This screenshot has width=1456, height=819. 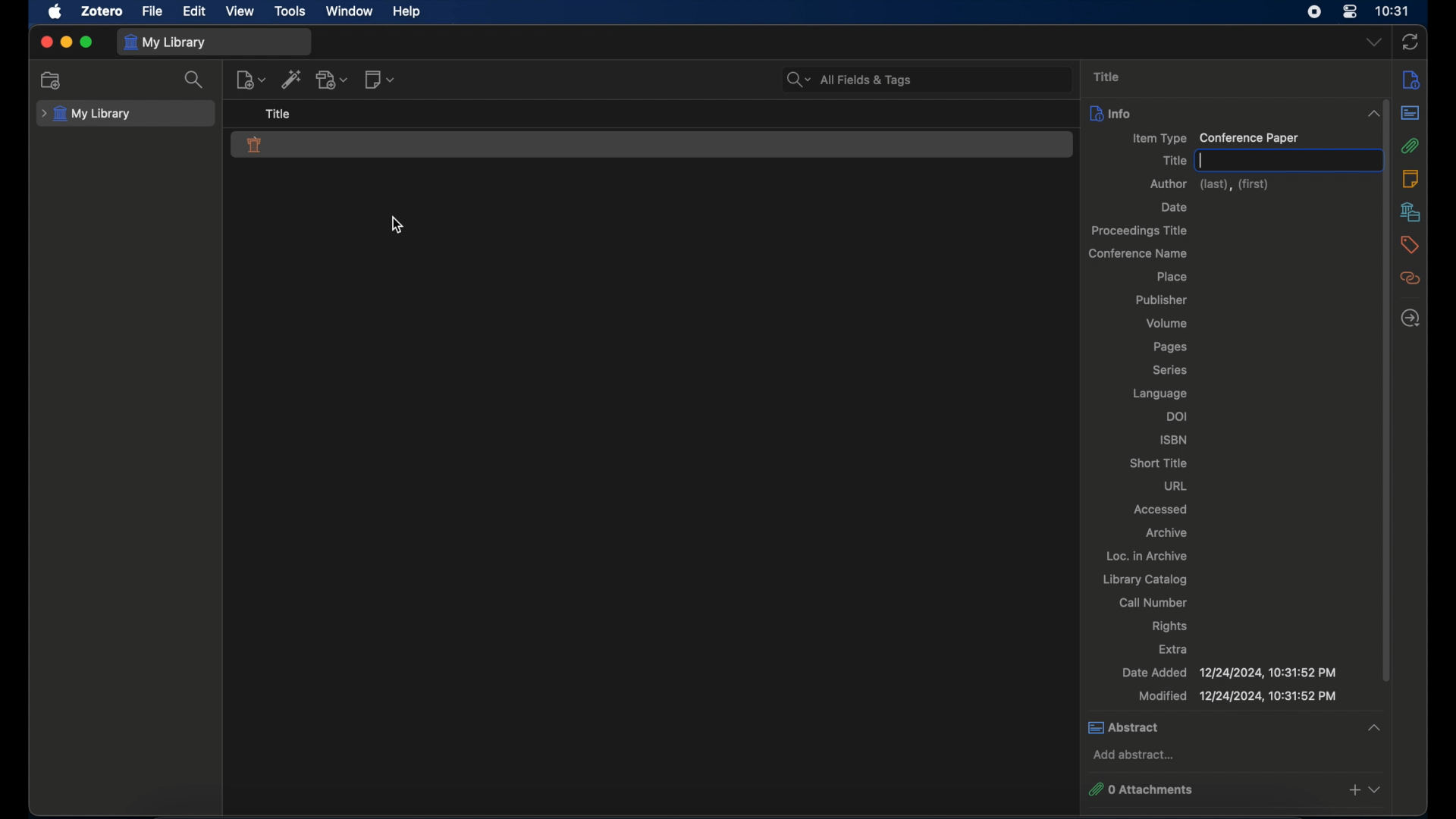 I want to click on add attachment, so click(x=332, y=79).